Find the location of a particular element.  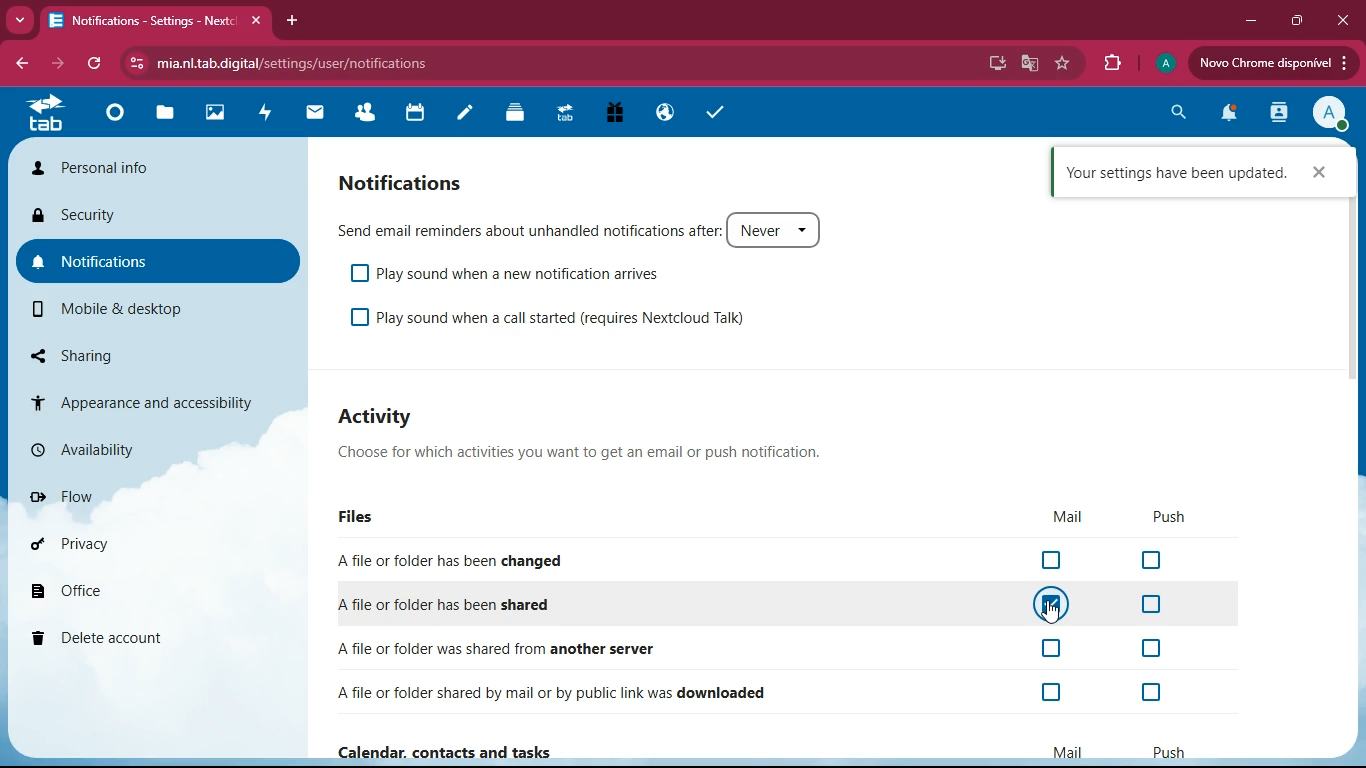

tasks is located at coordinates (714, 116).